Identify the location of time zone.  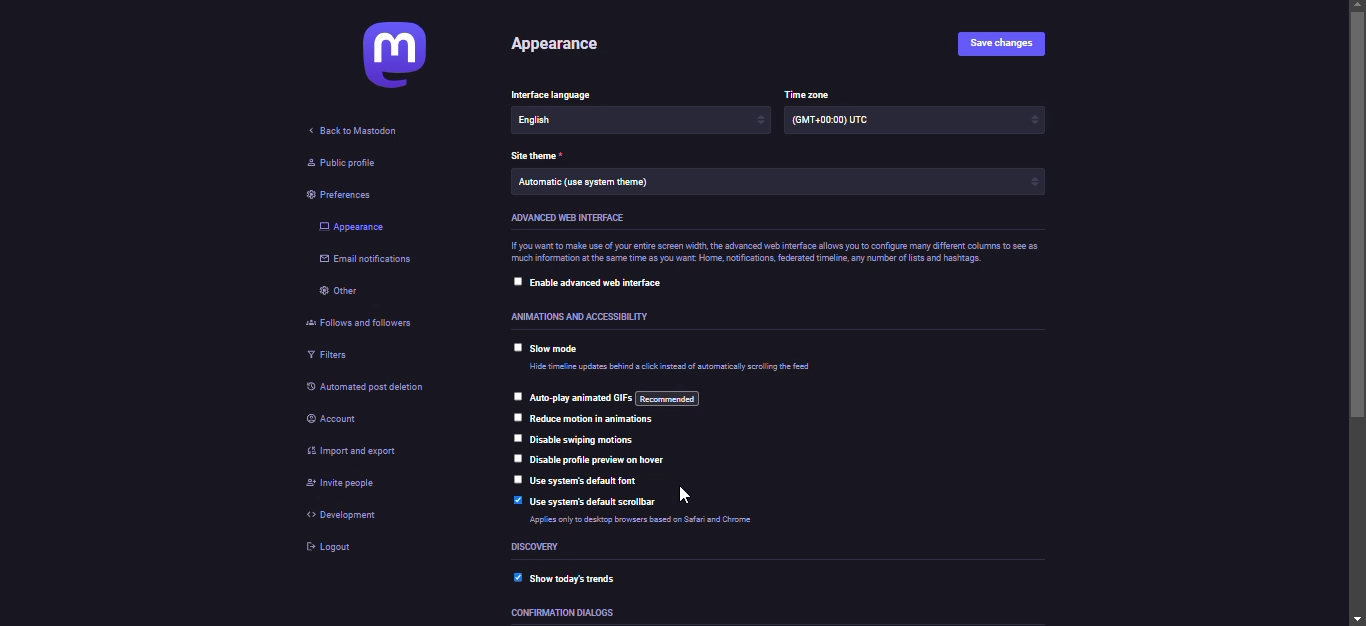
(838, 122).